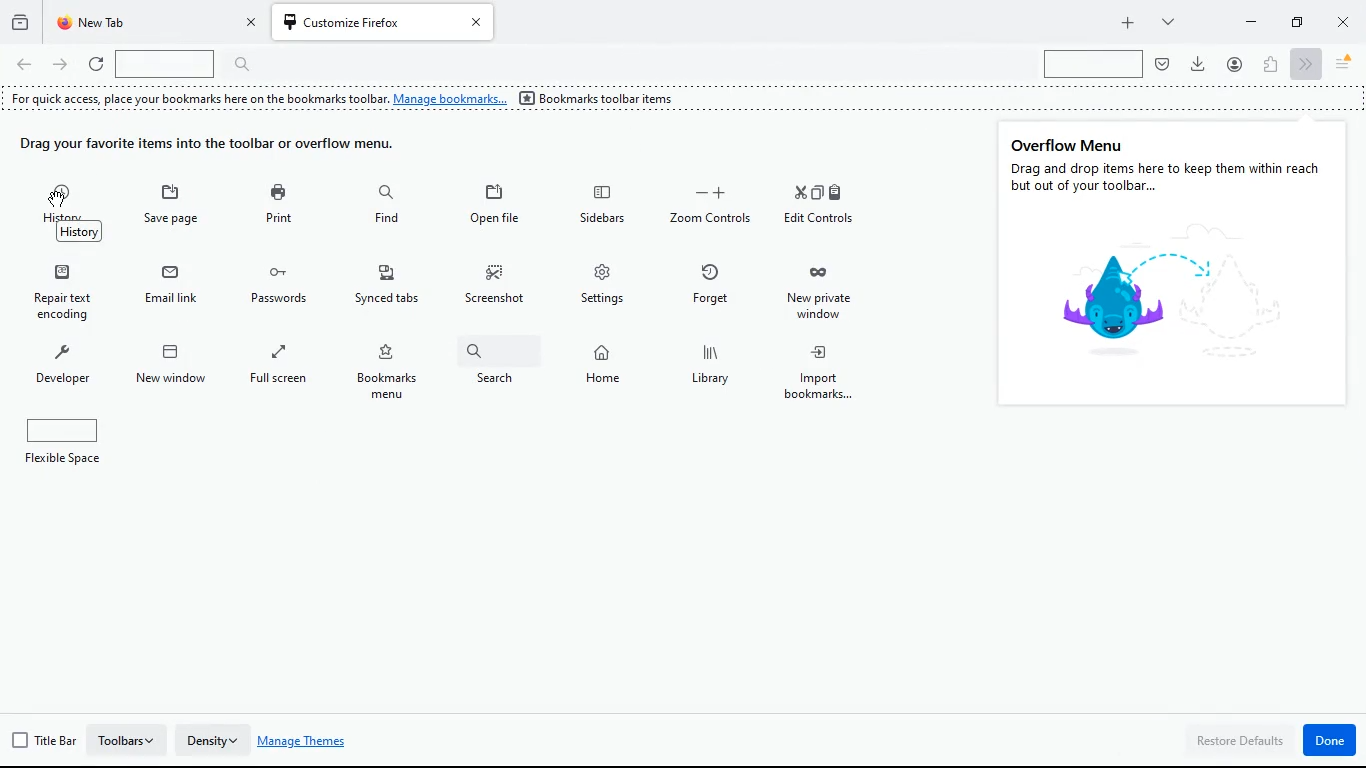 This screenshot has height=768, width=1366. What do you see at coordinates (1345, 25) in the screenshot?
I see `close` at bounding box center [1345, 25].